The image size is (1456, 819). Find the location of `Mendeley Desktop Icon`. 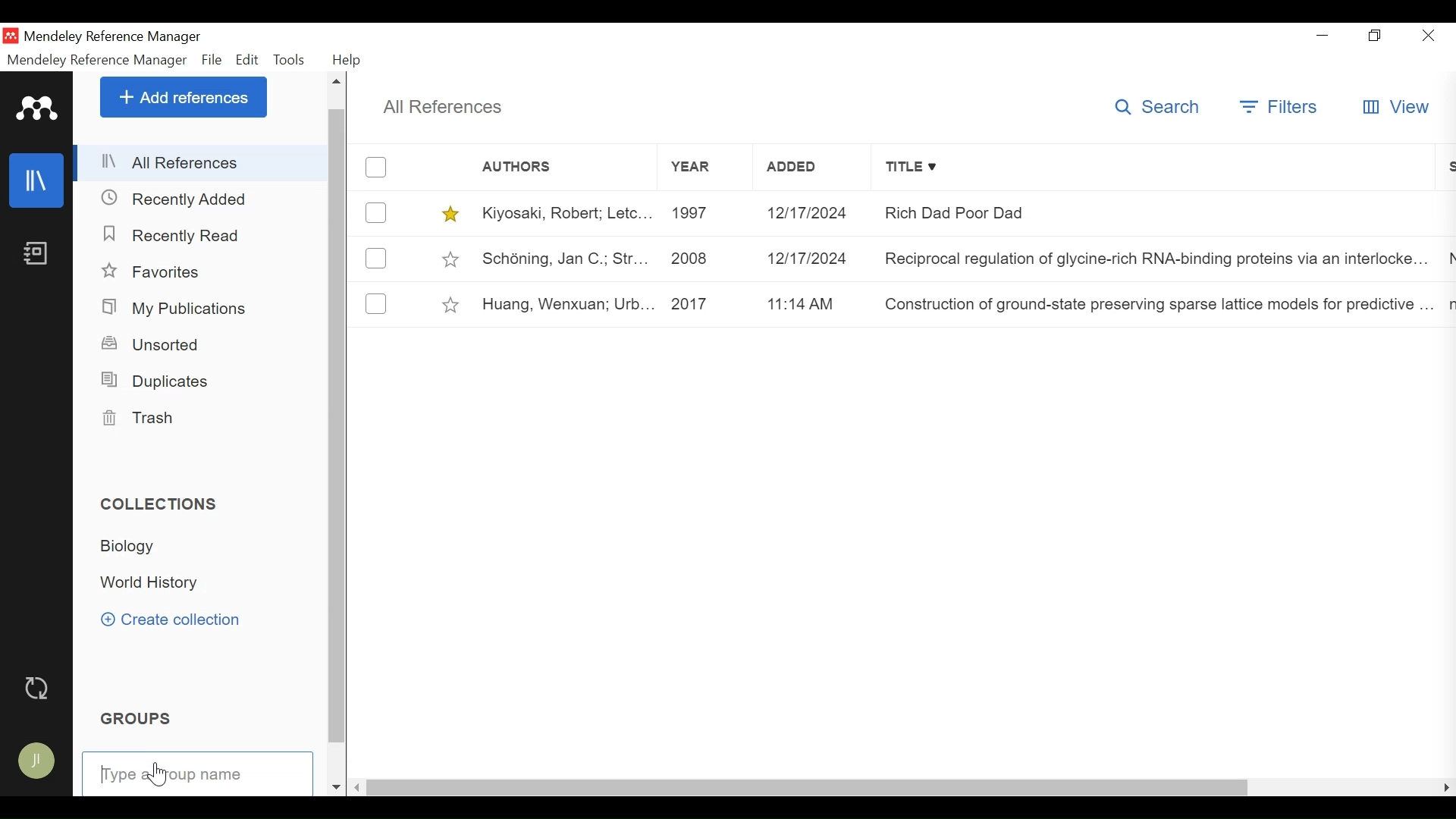

Mendeley Desktop Icon is located at coordinates (11, 36).